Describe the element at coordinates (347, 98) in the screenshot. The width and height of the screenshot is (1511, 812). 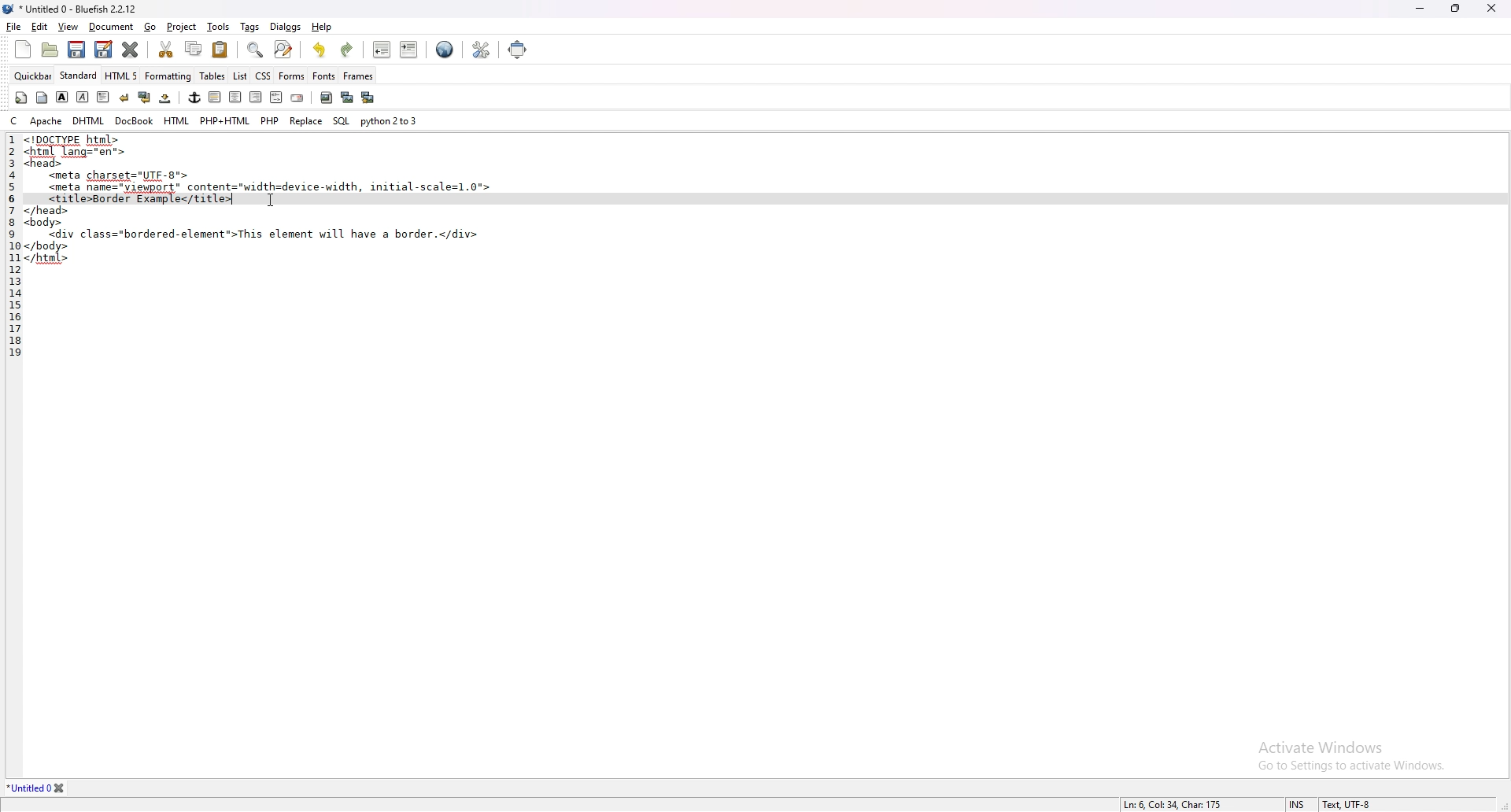
I see `insert thumbnail` at that location.